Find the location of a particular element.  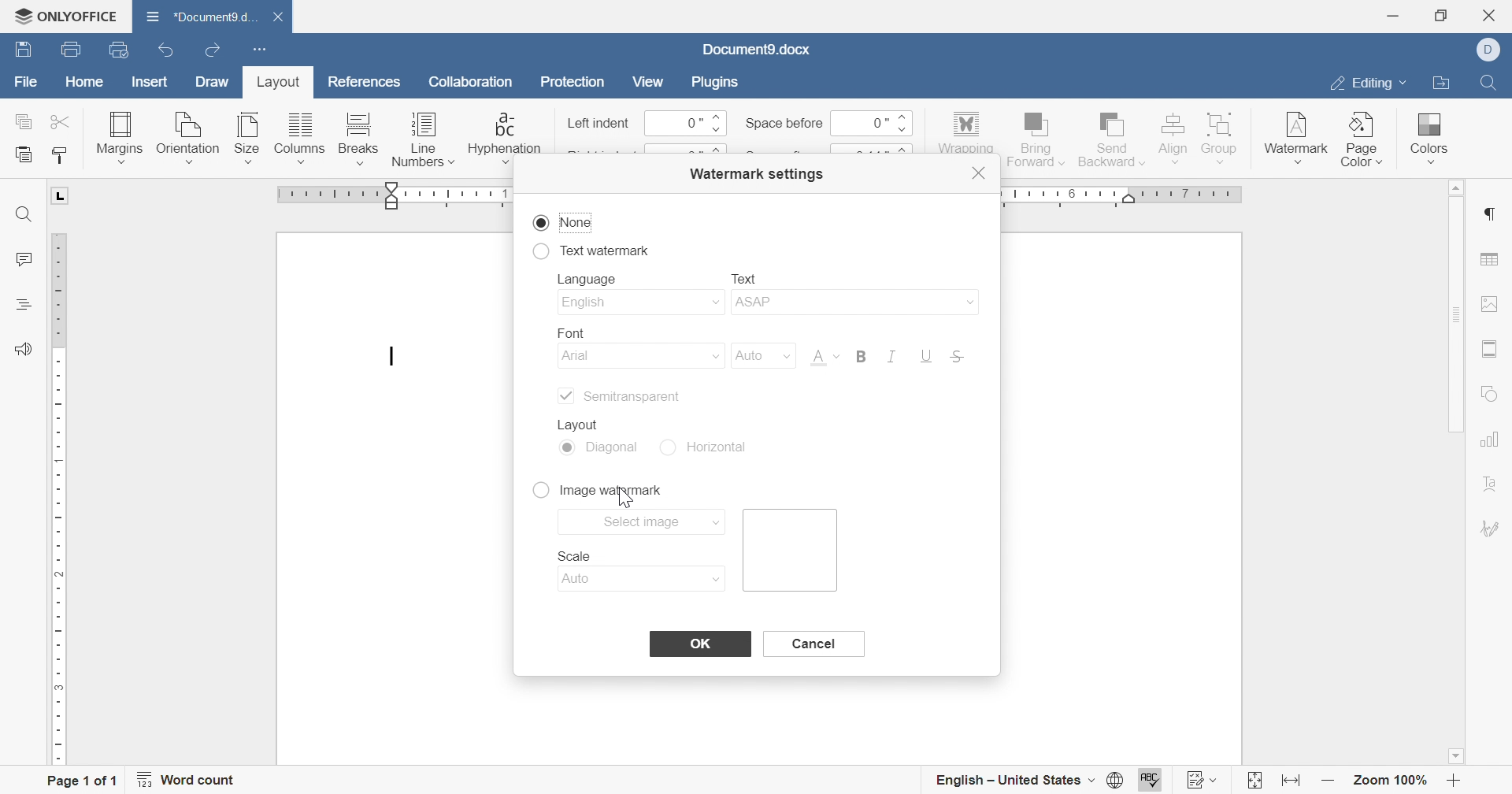

group is located at coordinates (1221, 136).